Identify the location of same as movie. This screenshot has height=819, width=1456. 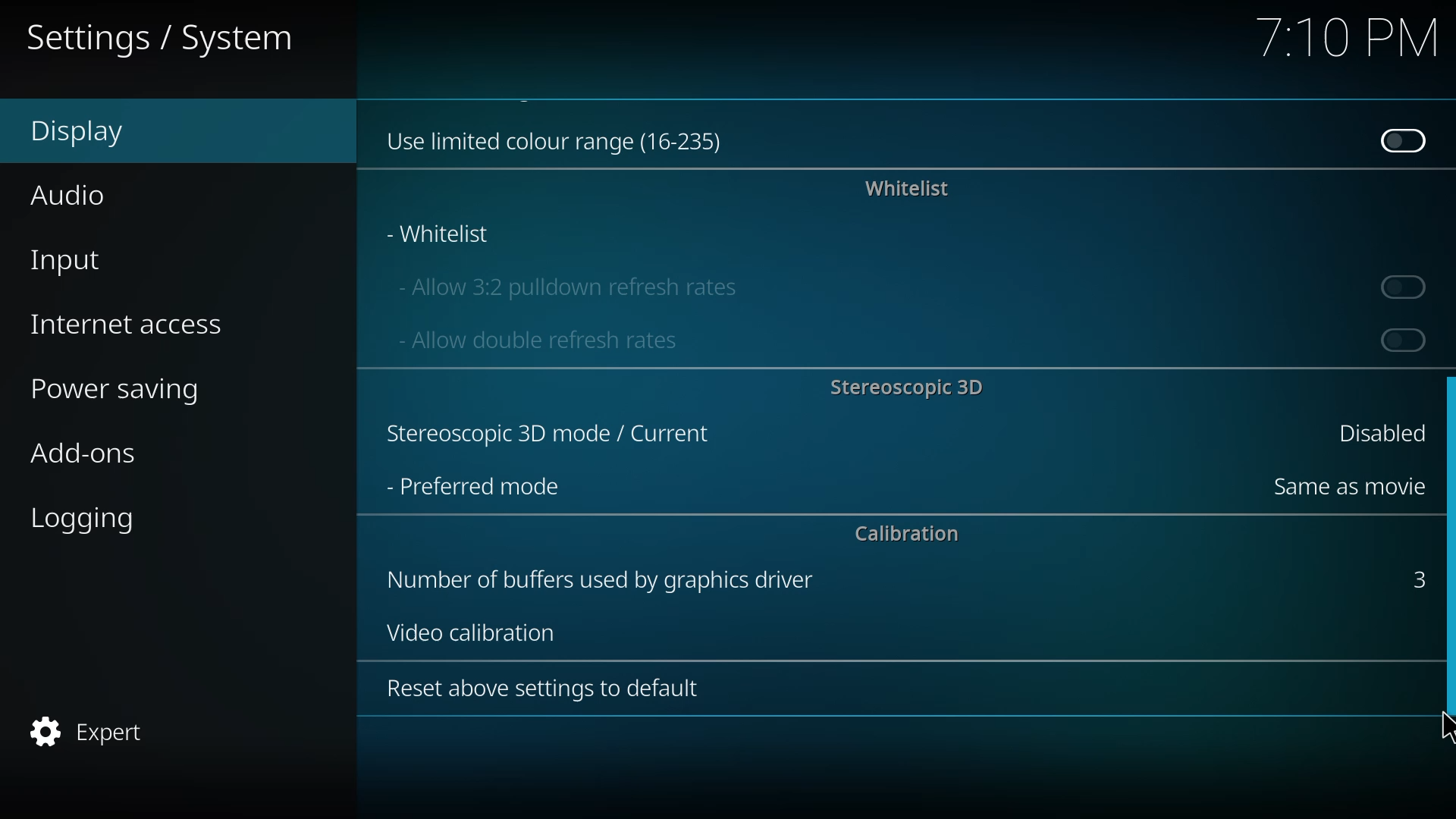
(1345, 486).